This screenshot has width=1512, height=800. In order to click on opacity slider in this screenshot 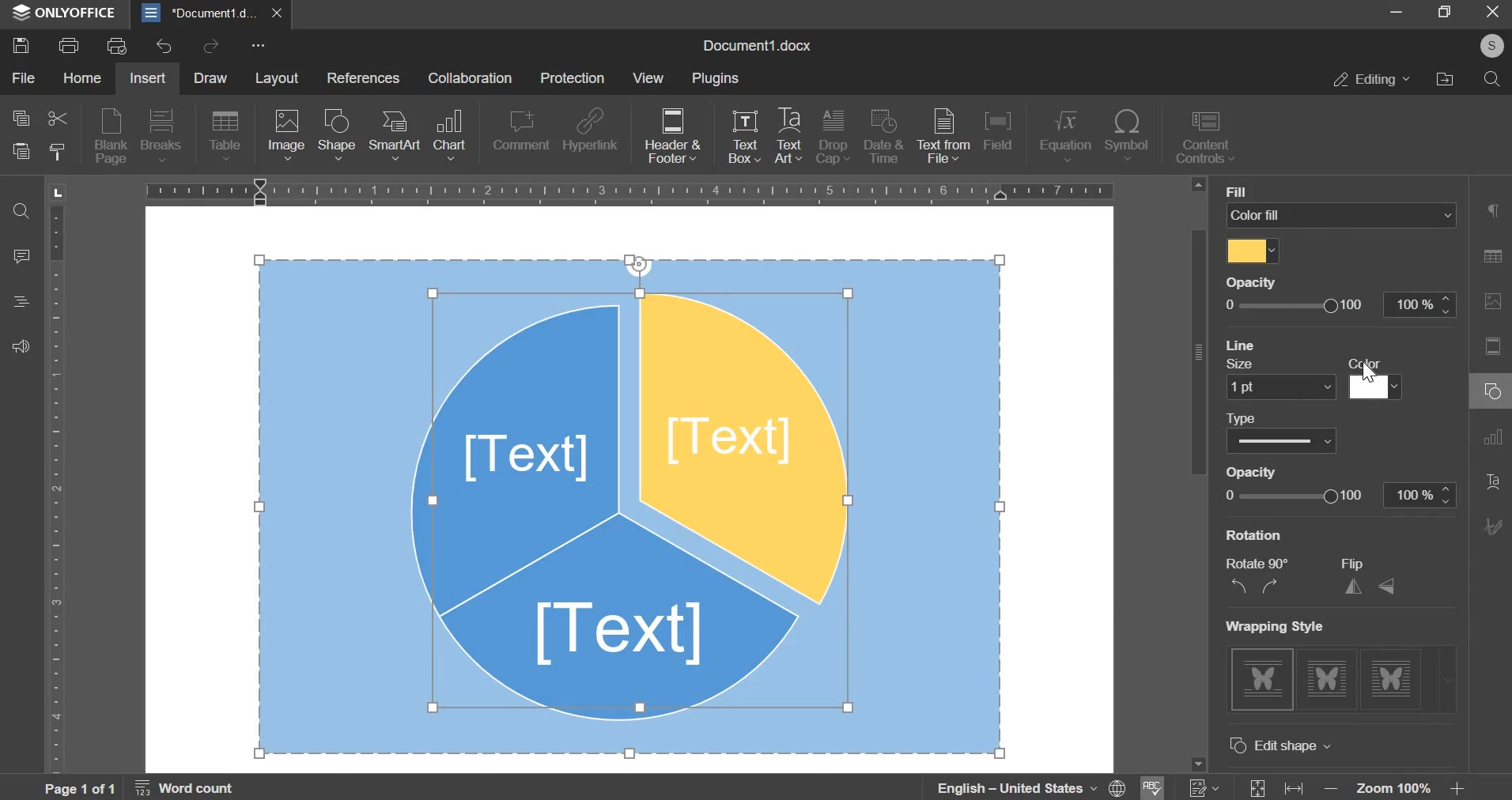, I will do `click(1341, 304)`.